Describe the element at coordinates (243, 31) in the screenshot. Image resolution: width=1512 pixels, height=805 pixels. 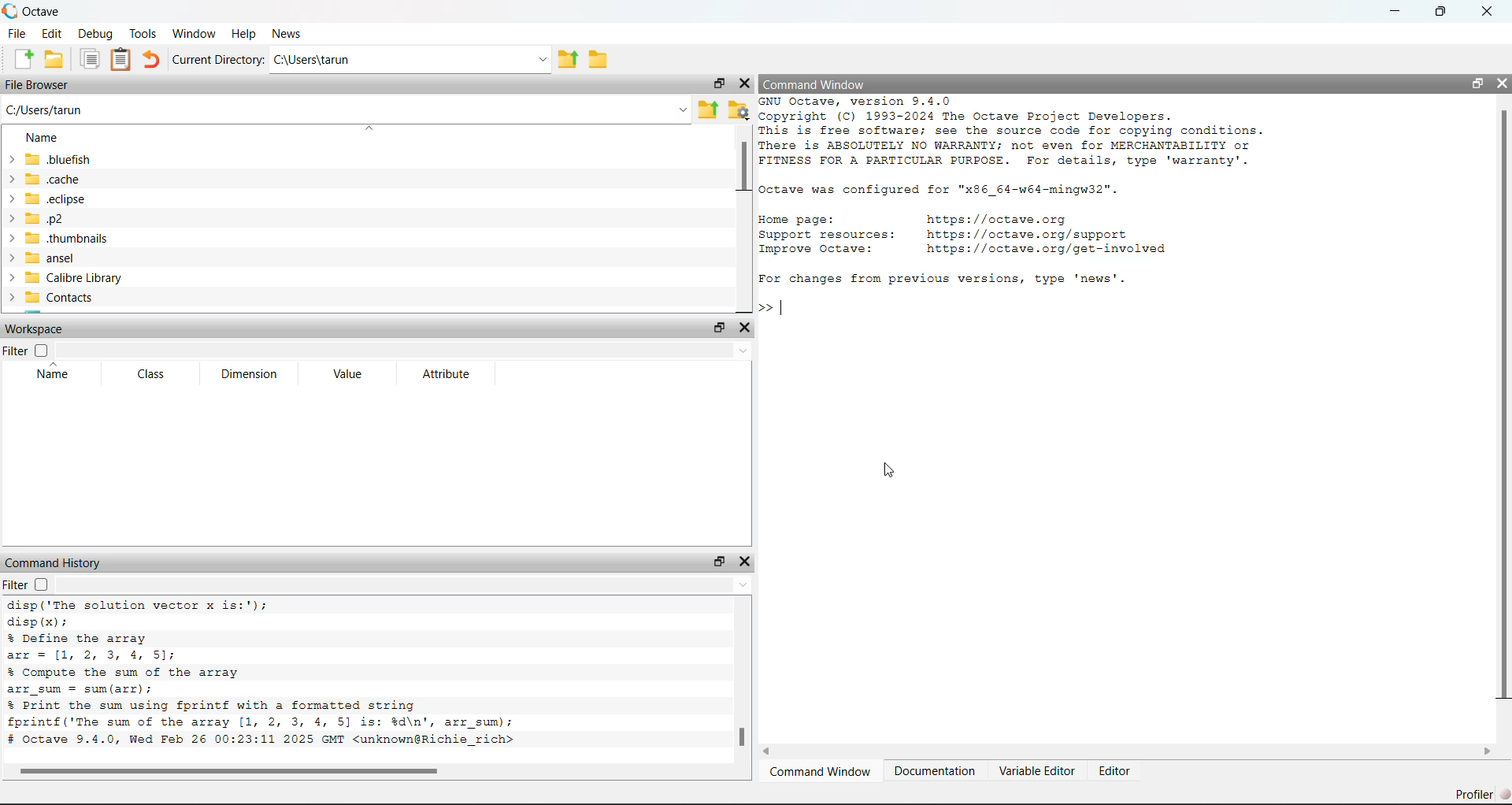
I see `Help` at that location.